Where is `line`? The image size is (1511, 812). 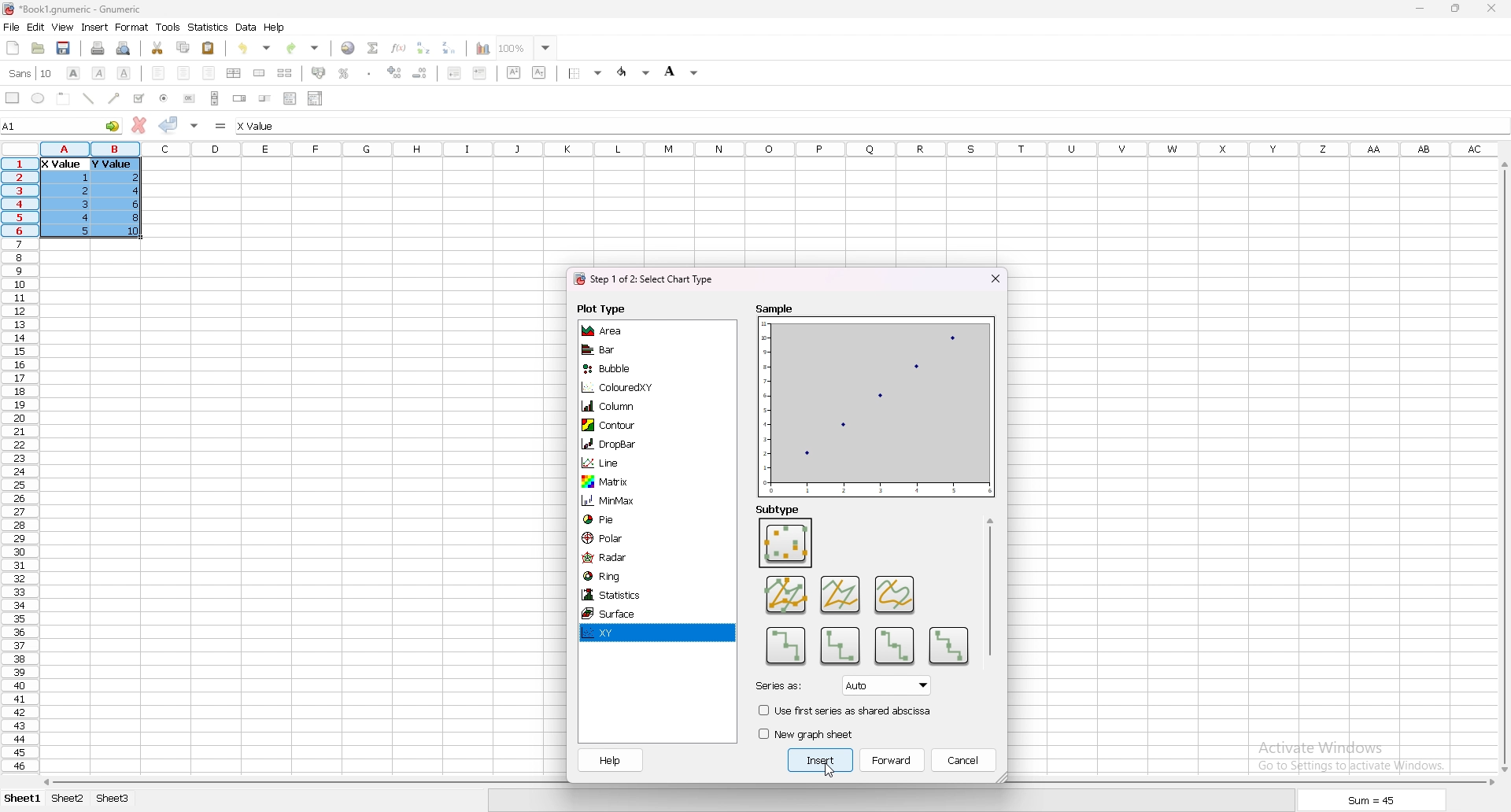 line is located at coordinates (629, 461).